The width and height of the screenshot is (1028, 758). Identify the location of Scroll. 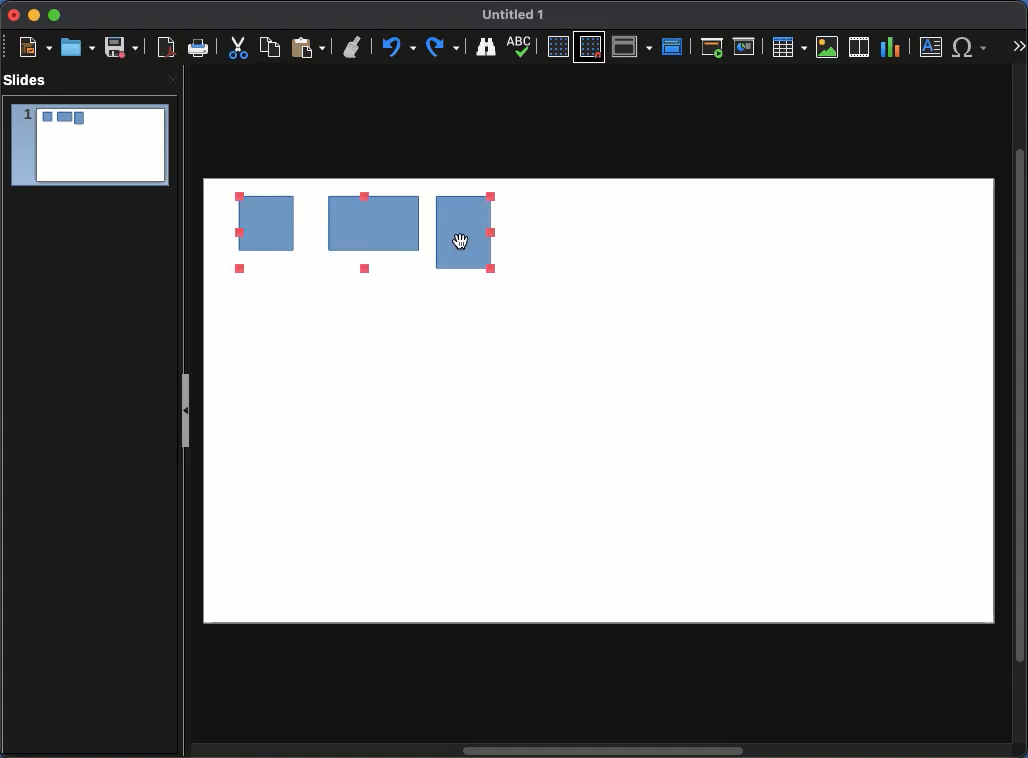
(1022, 404).